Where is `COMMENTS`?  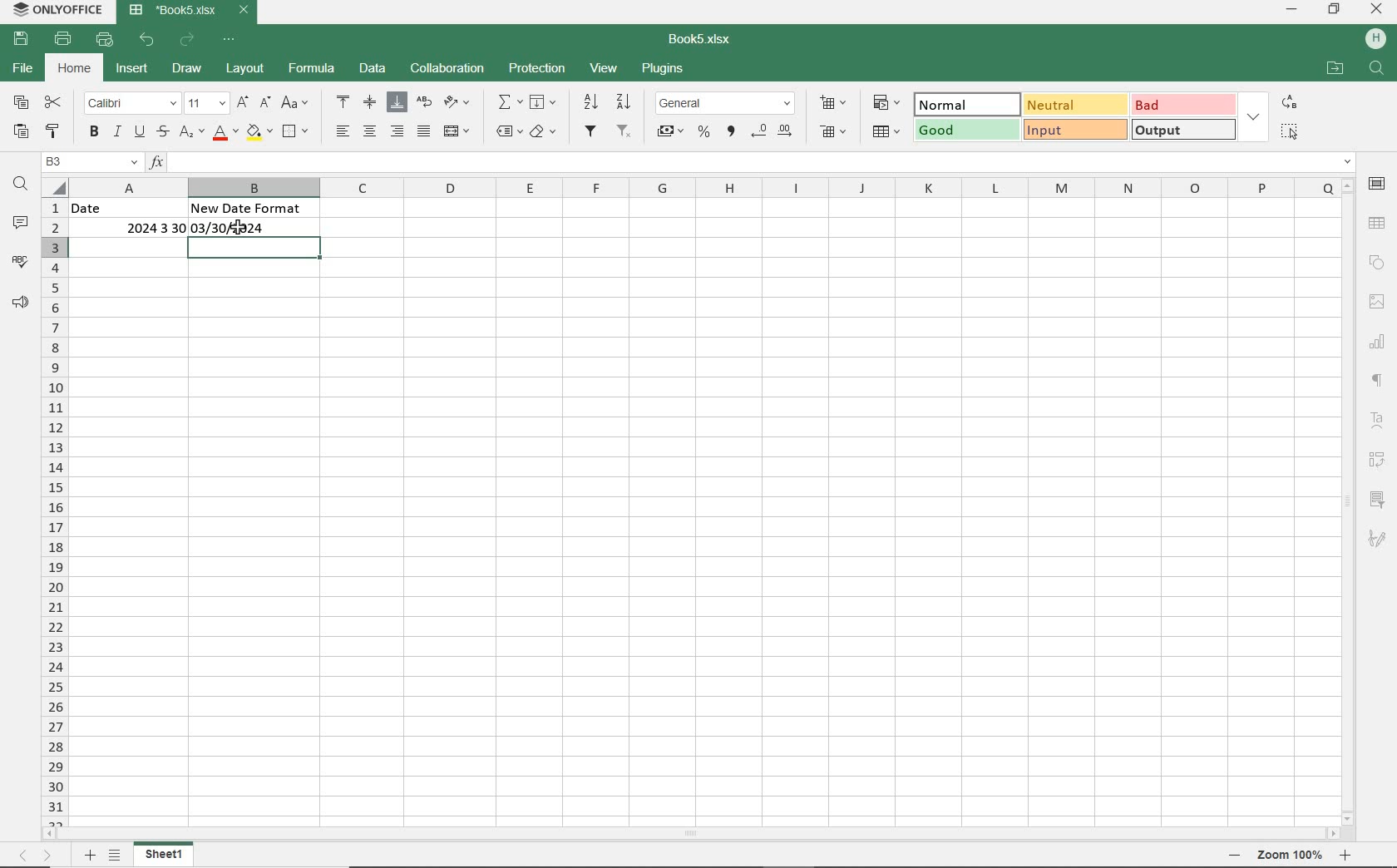
COMMENTS is located at coordinates (21, 222).